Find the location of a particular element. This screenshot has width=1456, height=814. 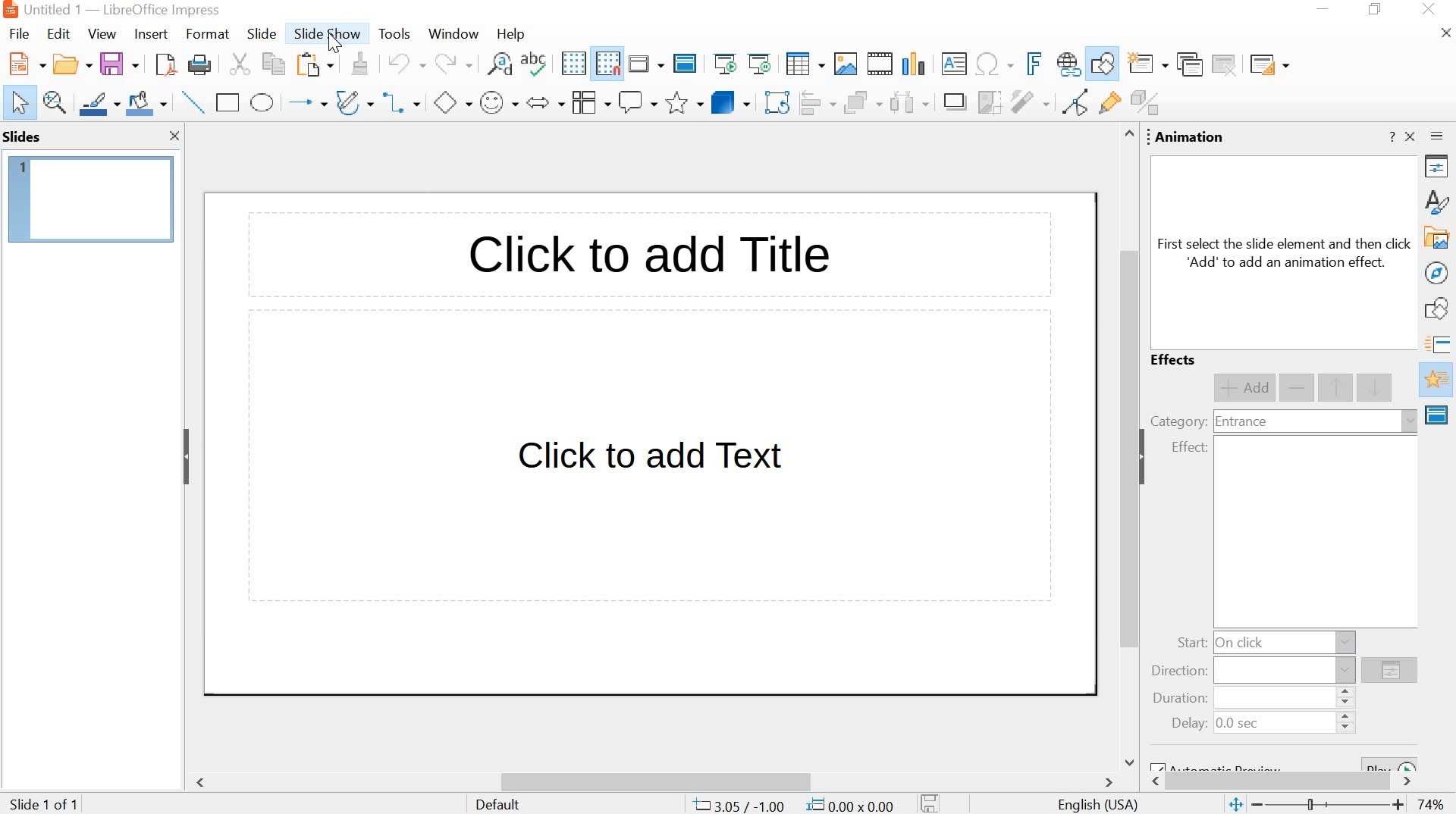

language is located at coordinates (1099, 806).